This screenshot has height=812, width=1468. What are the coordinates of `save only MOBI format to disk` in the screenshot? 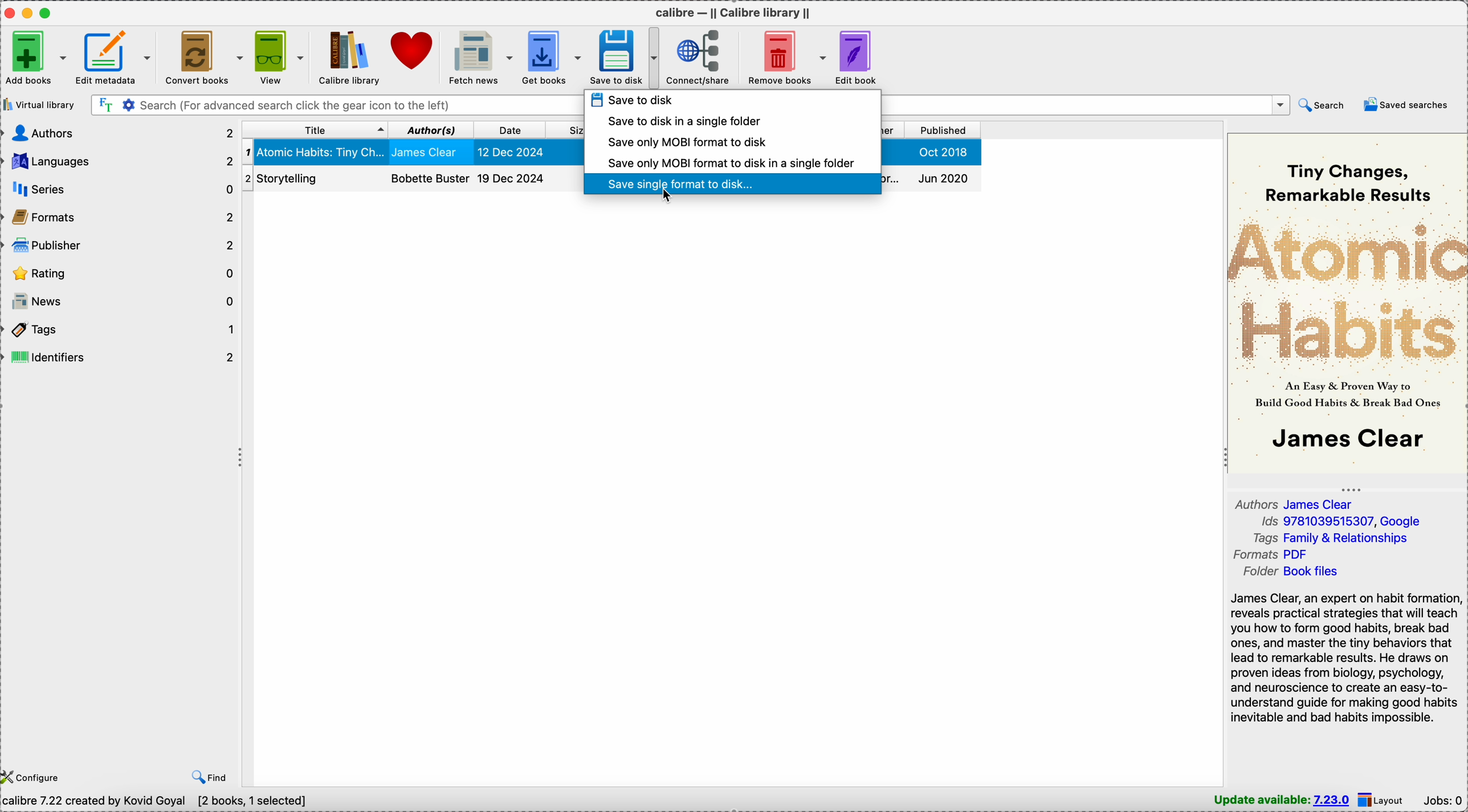 It's located at (686, 142).